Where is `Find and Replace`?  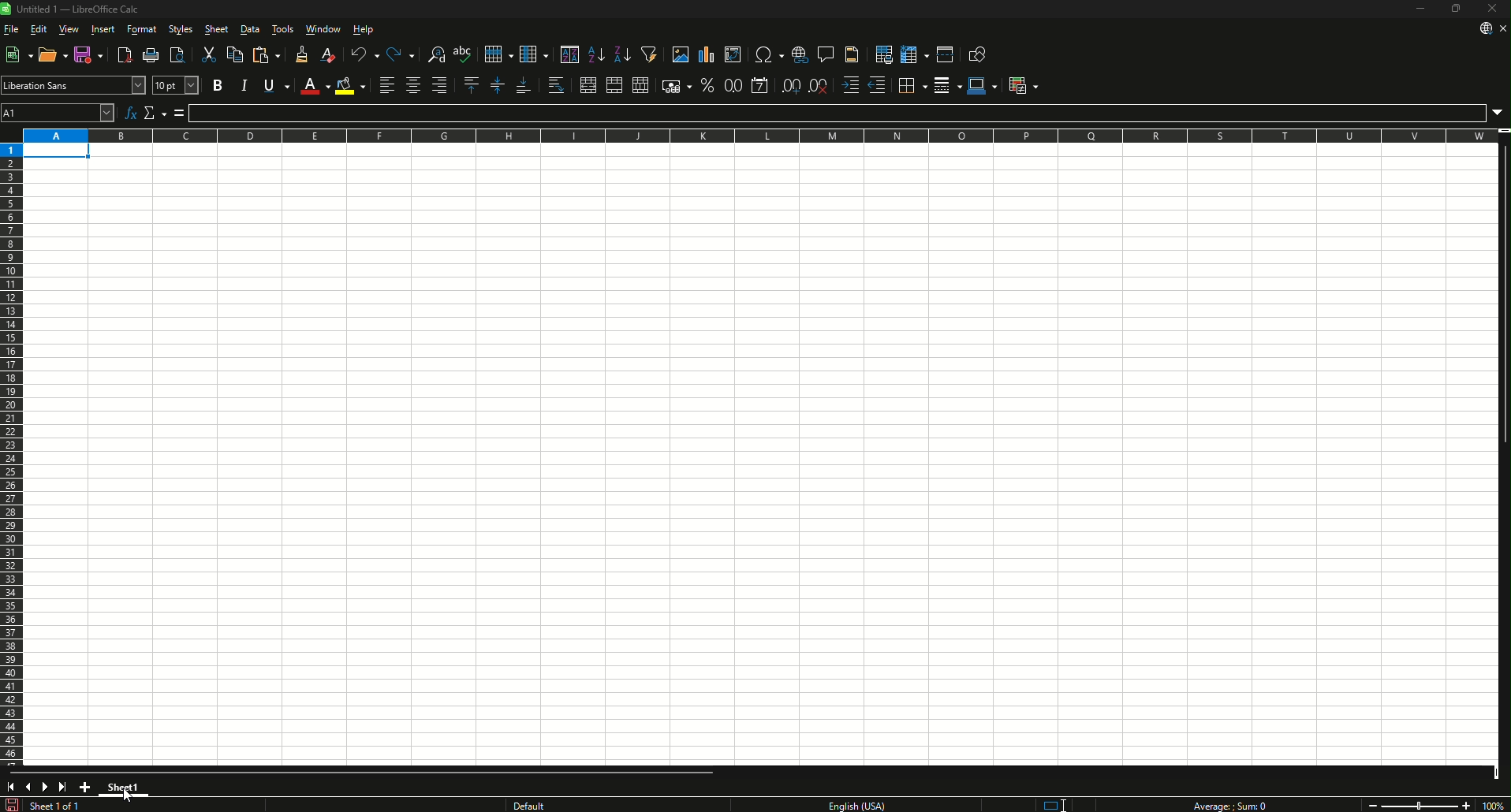 Find and Replace is located at coordinates (435, 54).